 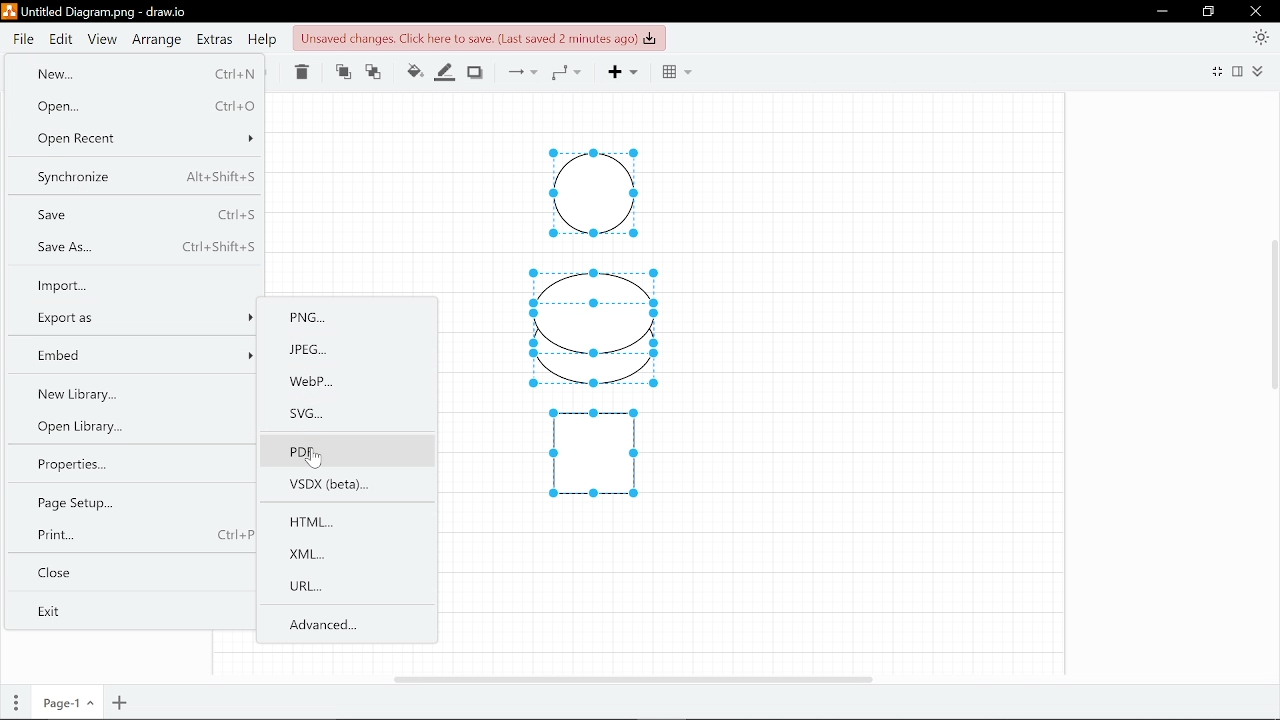 What do you see at coordinates (140, 137) in the screenshot?
I see `Open recent` at bounding box center [140, 137].